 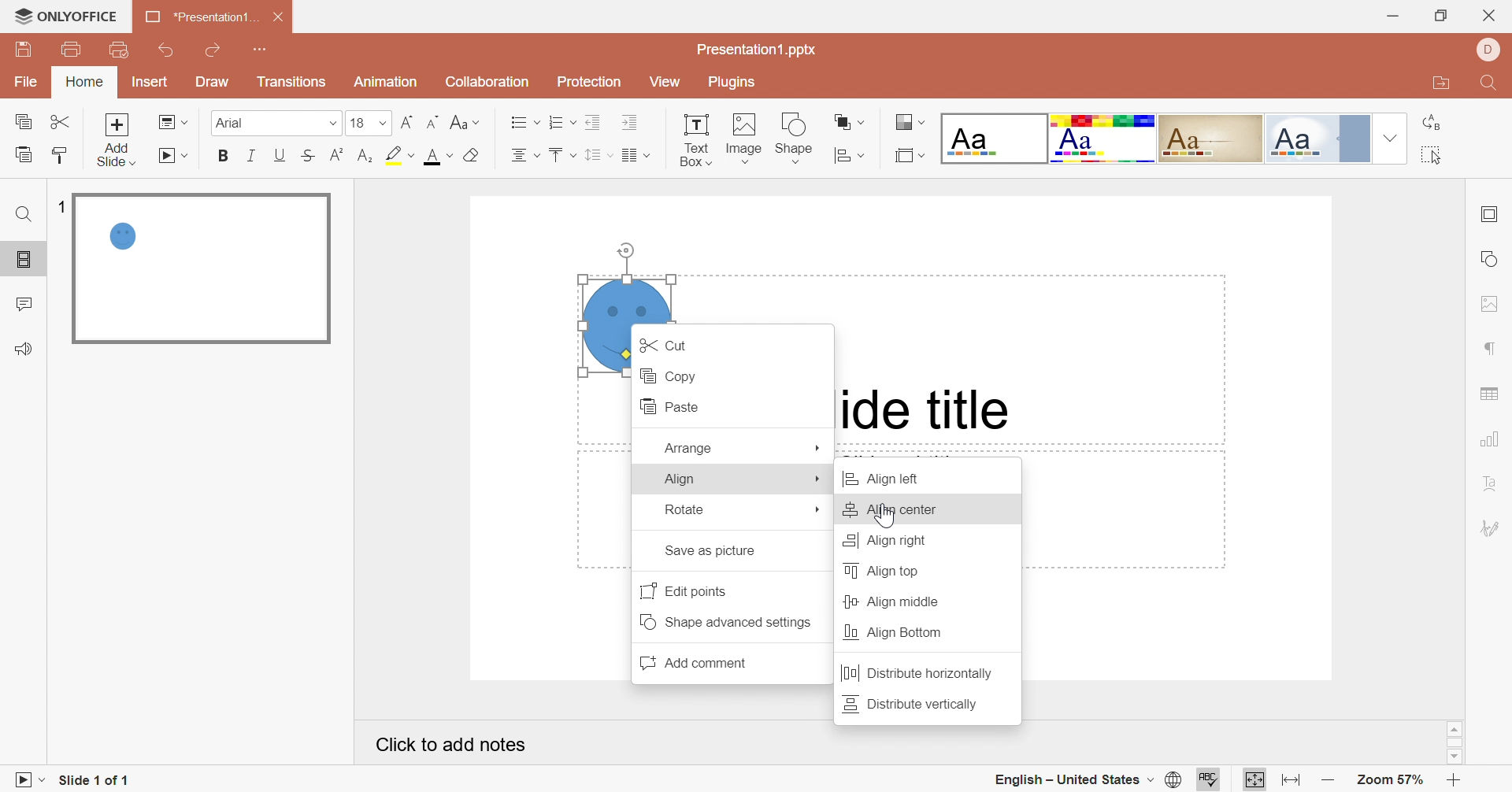 What do you see at coordinates (403, 121) in the screenshot?
I see `Increment font size` at bounding box center [403, 121].